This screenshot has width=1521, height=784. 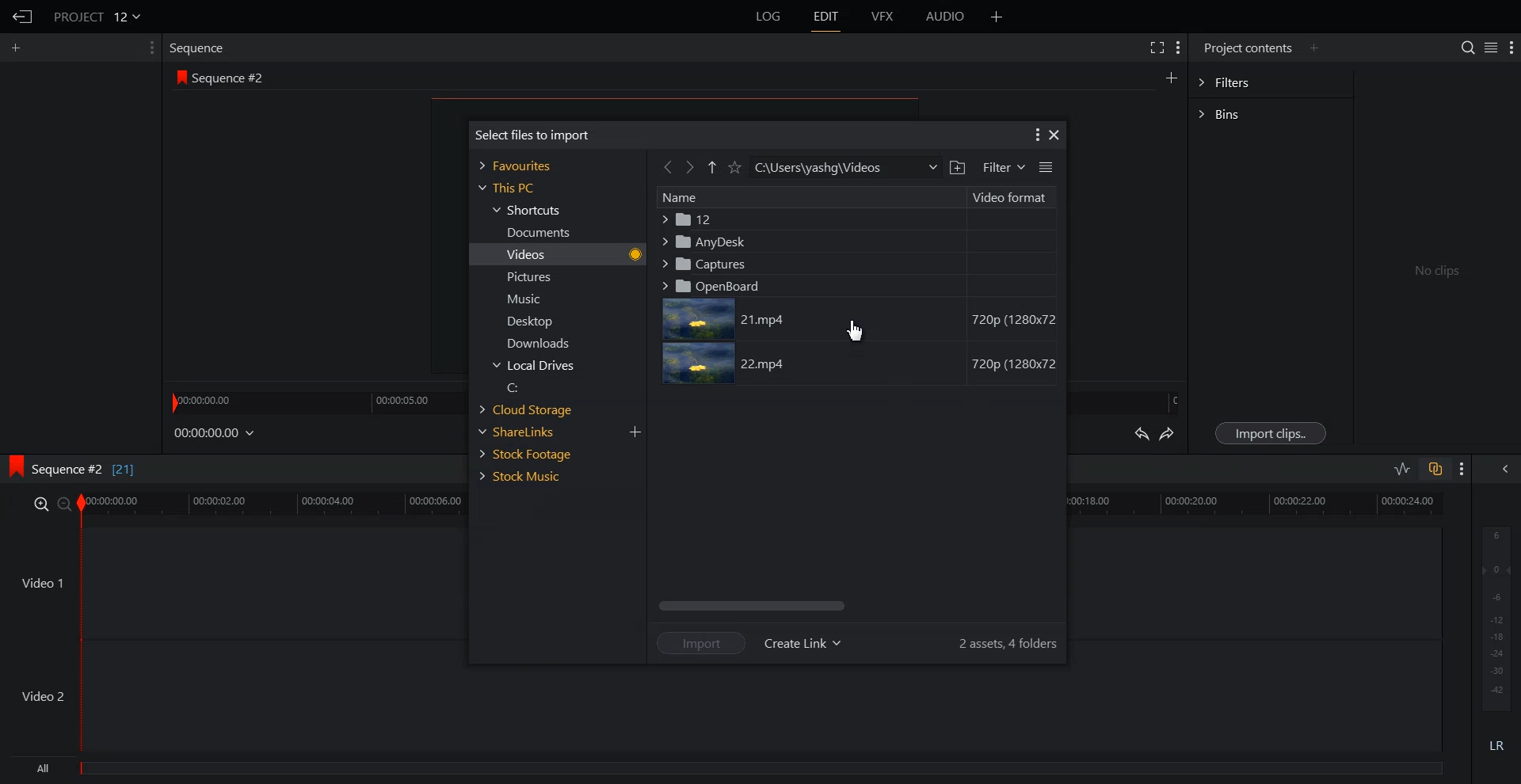 I want to click on Local Drives, so click(x=536, y=366).